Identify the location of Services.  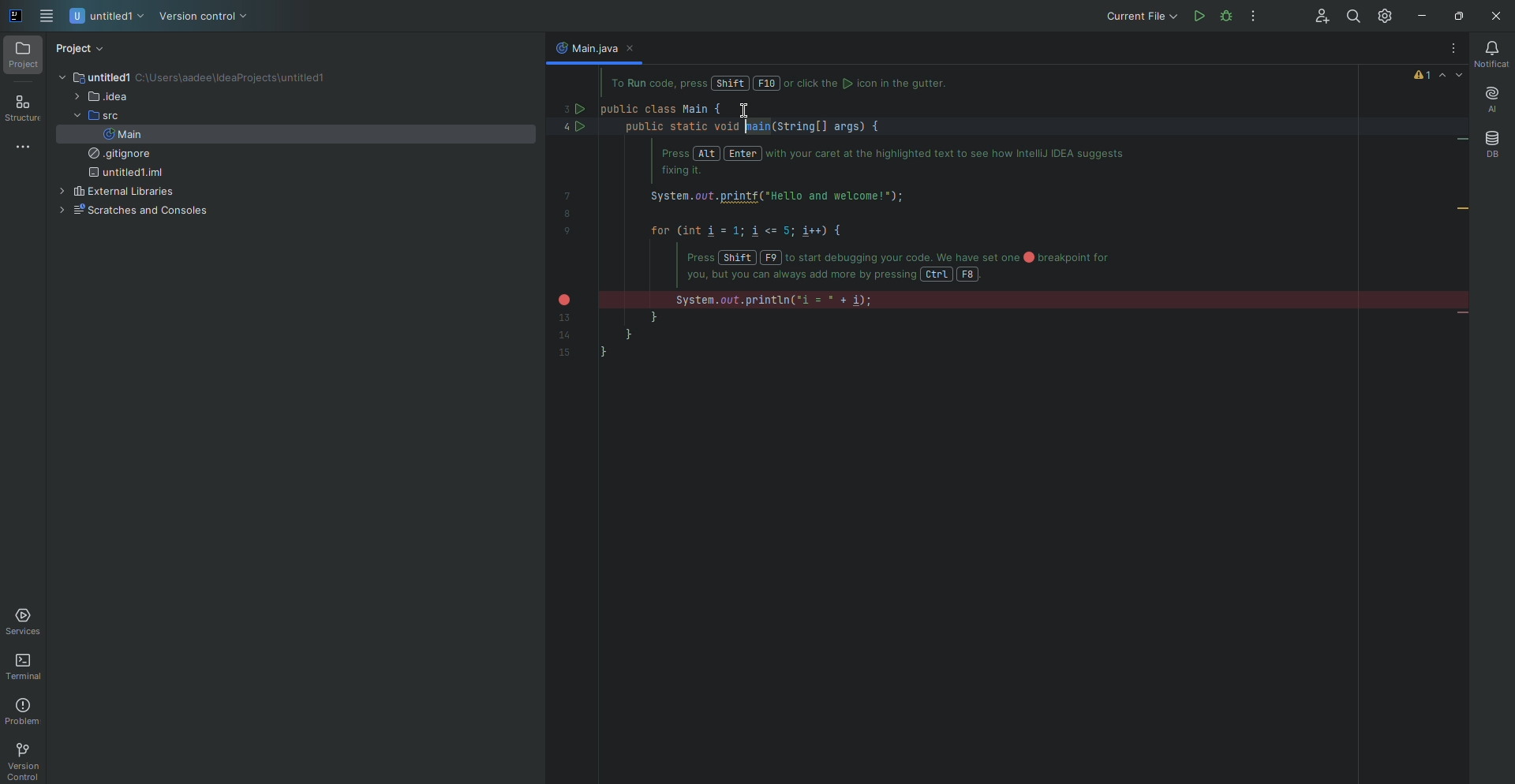
(26, 622).